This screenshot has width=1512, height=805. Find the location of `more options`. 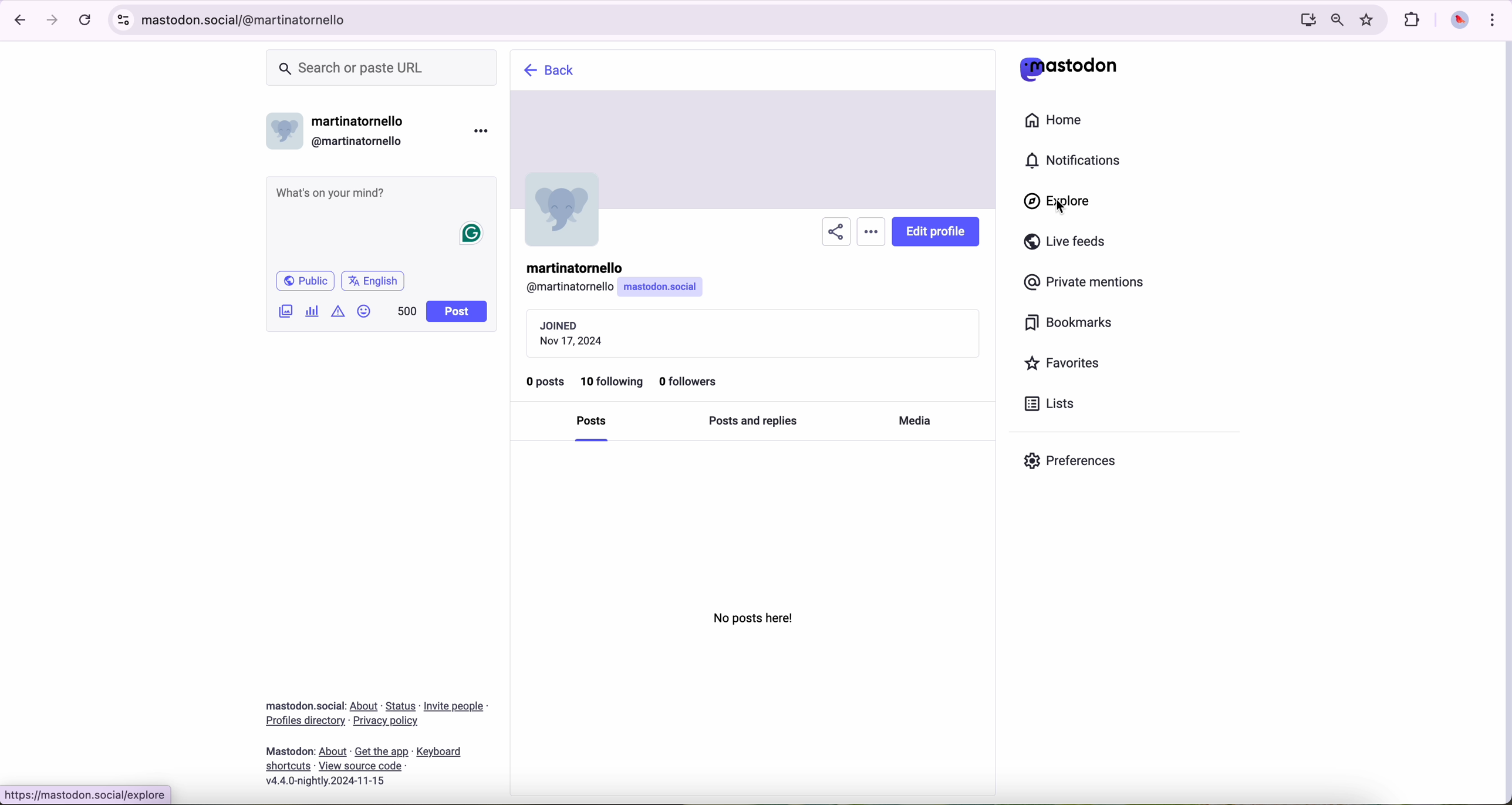

more options is located at coordinates (480, 133).